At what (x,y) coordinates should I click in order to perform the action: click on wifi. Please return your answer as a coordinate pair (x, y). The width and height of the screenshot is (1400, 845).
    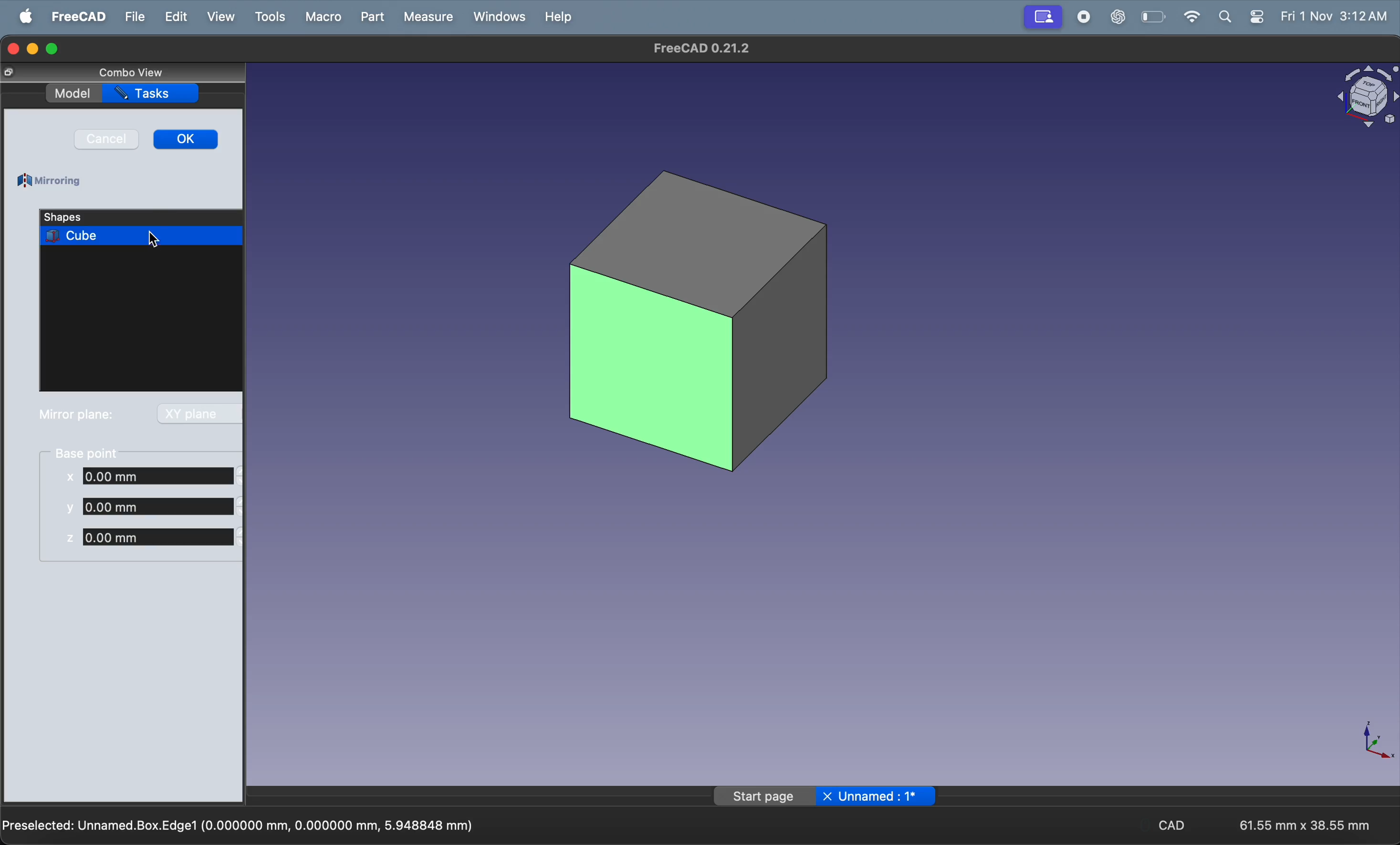
    Looking at the image, I should click on (1187, 16).